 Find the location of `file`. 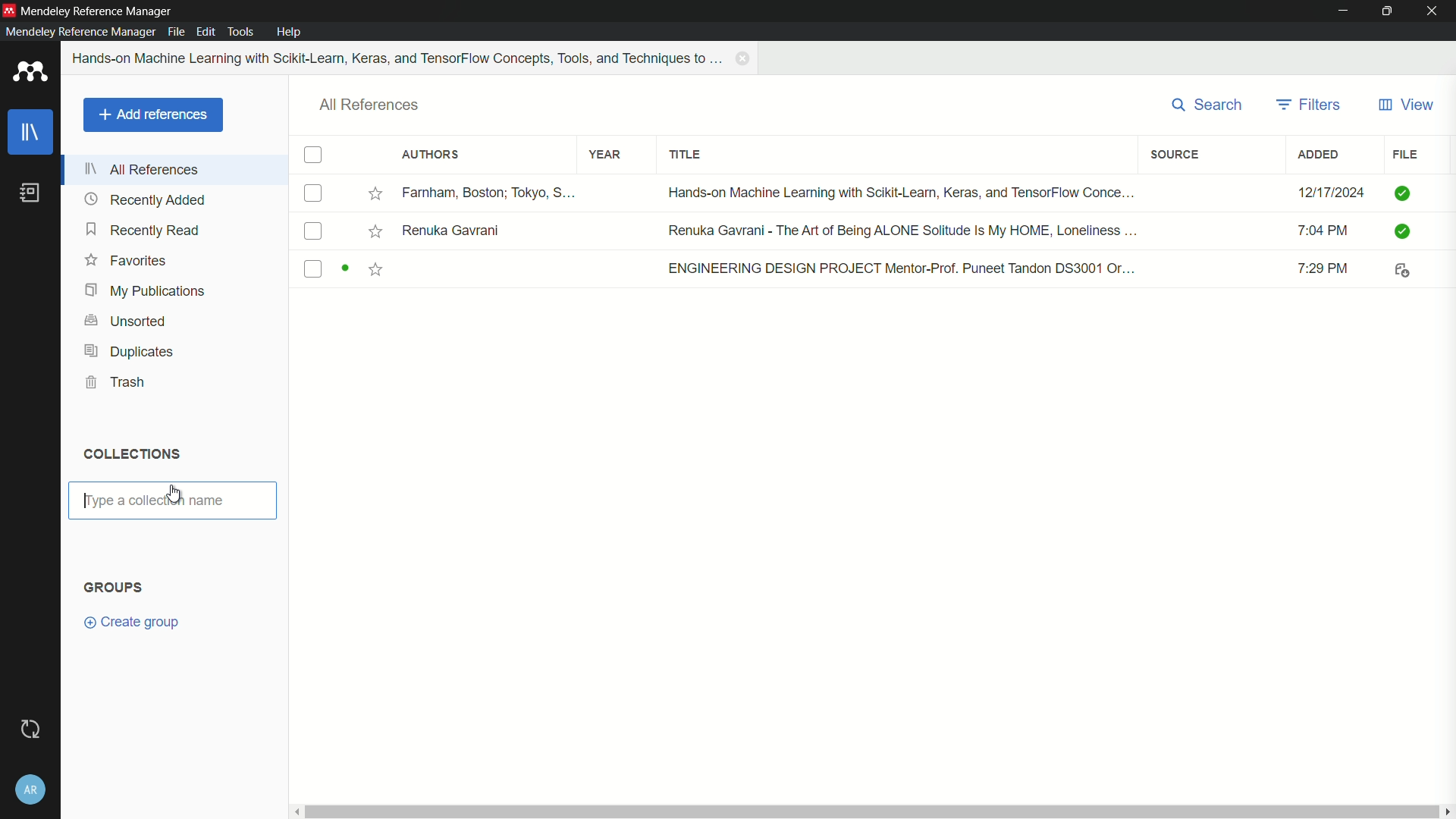

file is located at coordinates (1404, 155).